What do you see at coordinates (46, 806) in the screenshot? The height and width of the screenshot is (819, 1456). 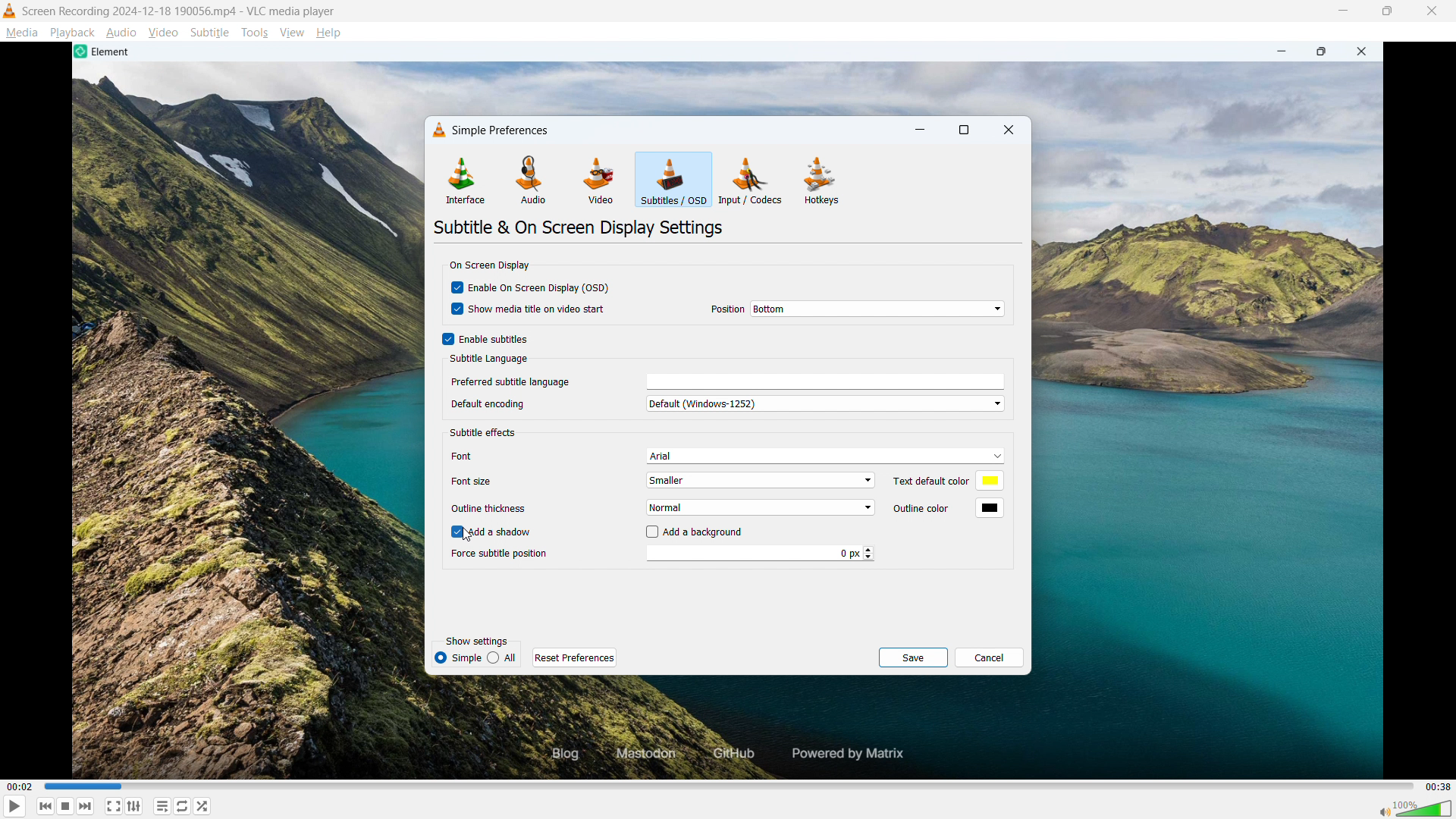 I see `Backward or previous media ` at bounding box center [46, 806].